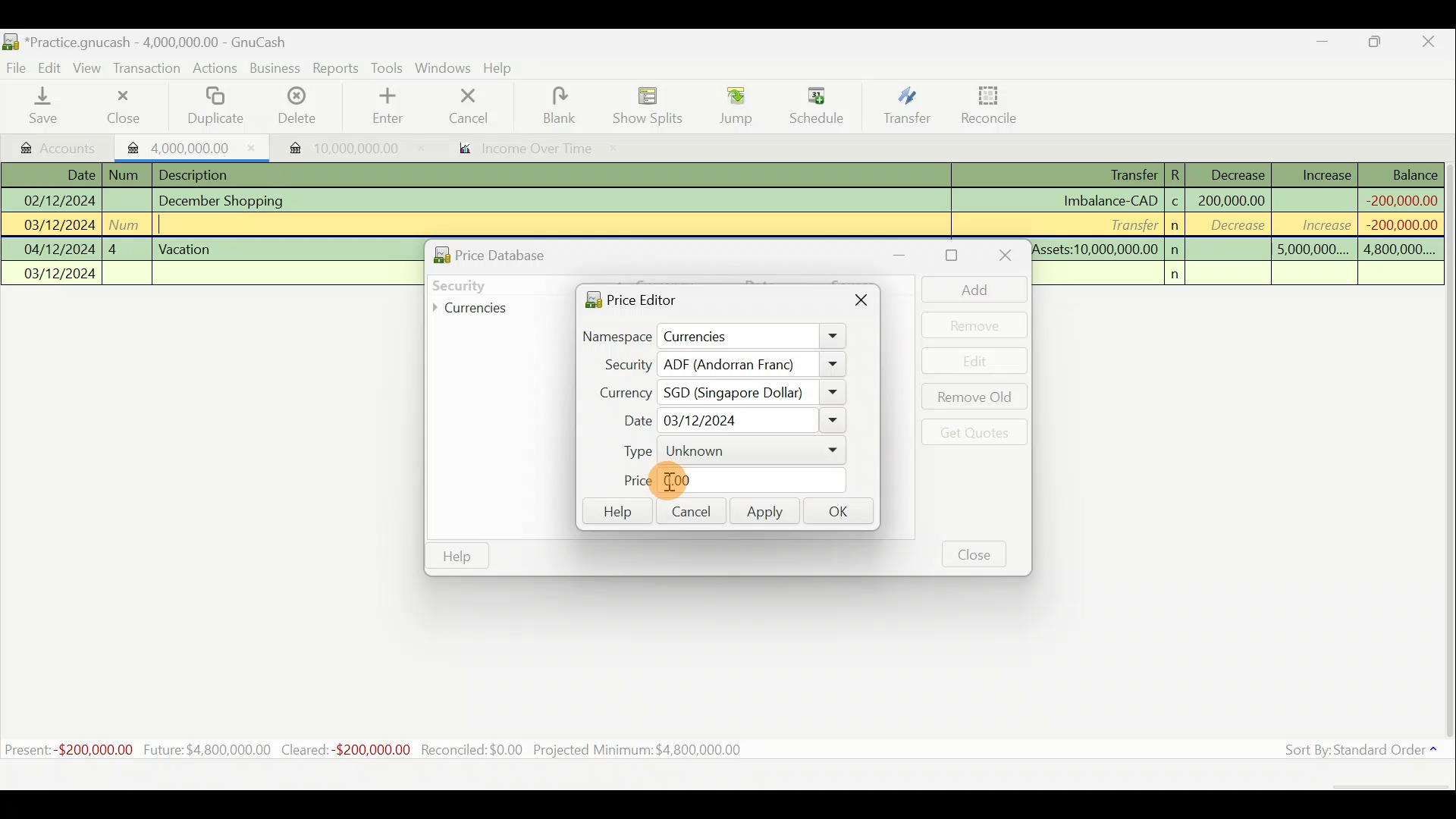 The height and width of the screenshot is (819, 1456). I want to click on Scroll bar, so click(1447, 454).